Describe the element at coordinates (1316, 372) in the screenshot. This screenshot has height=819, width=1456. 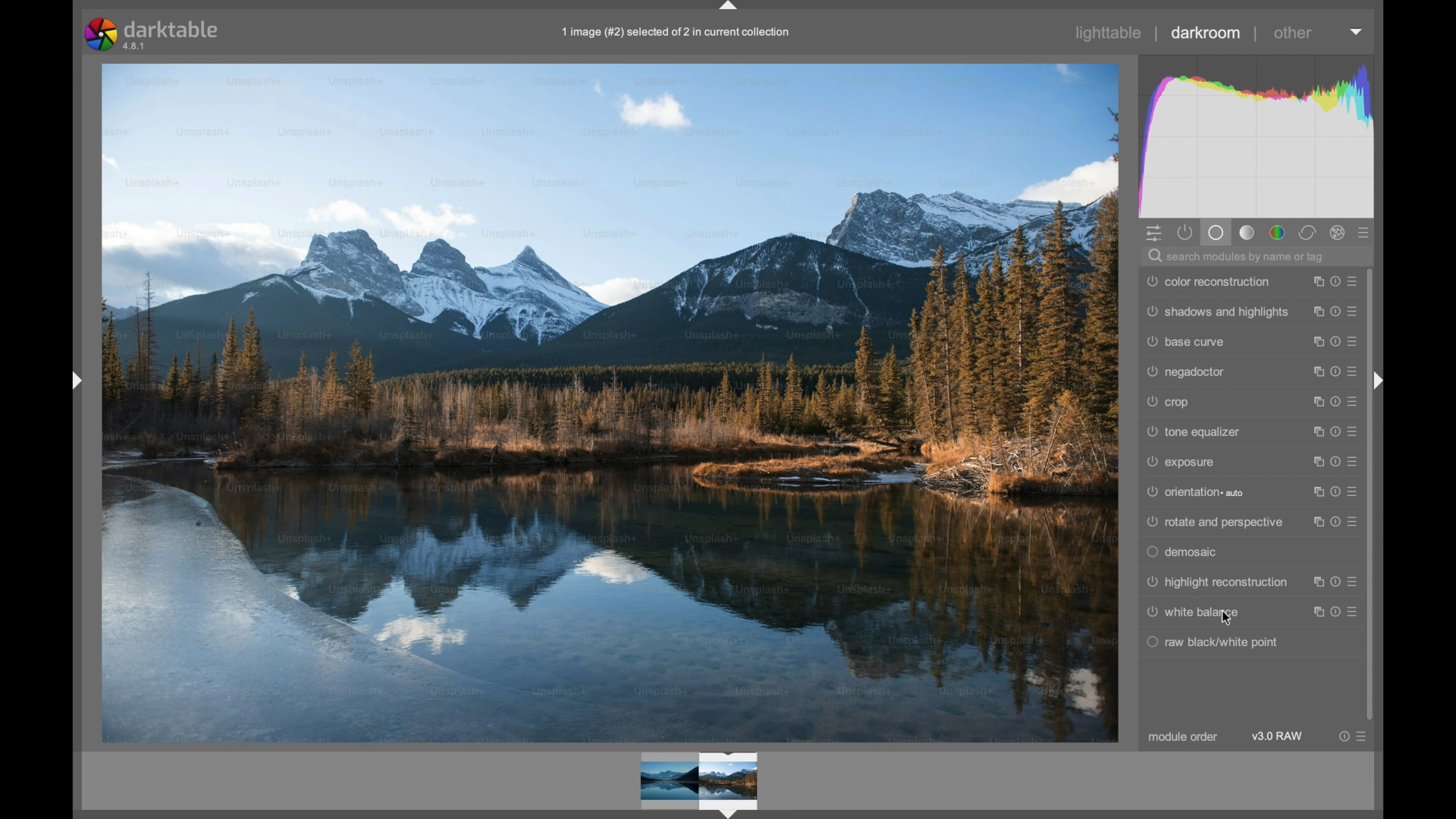
I see `instance` at that location.